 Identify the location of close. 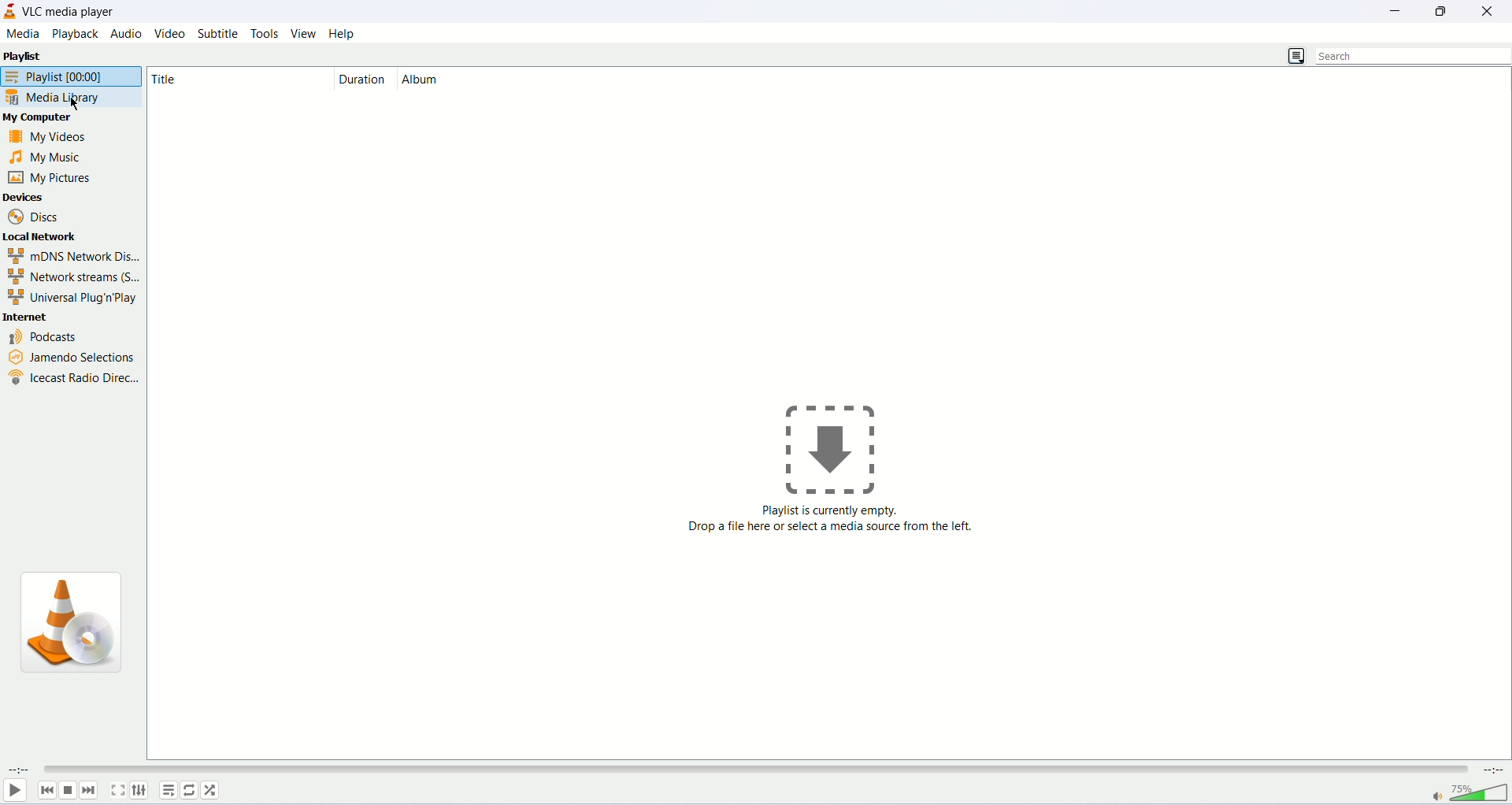
(1492, 9).